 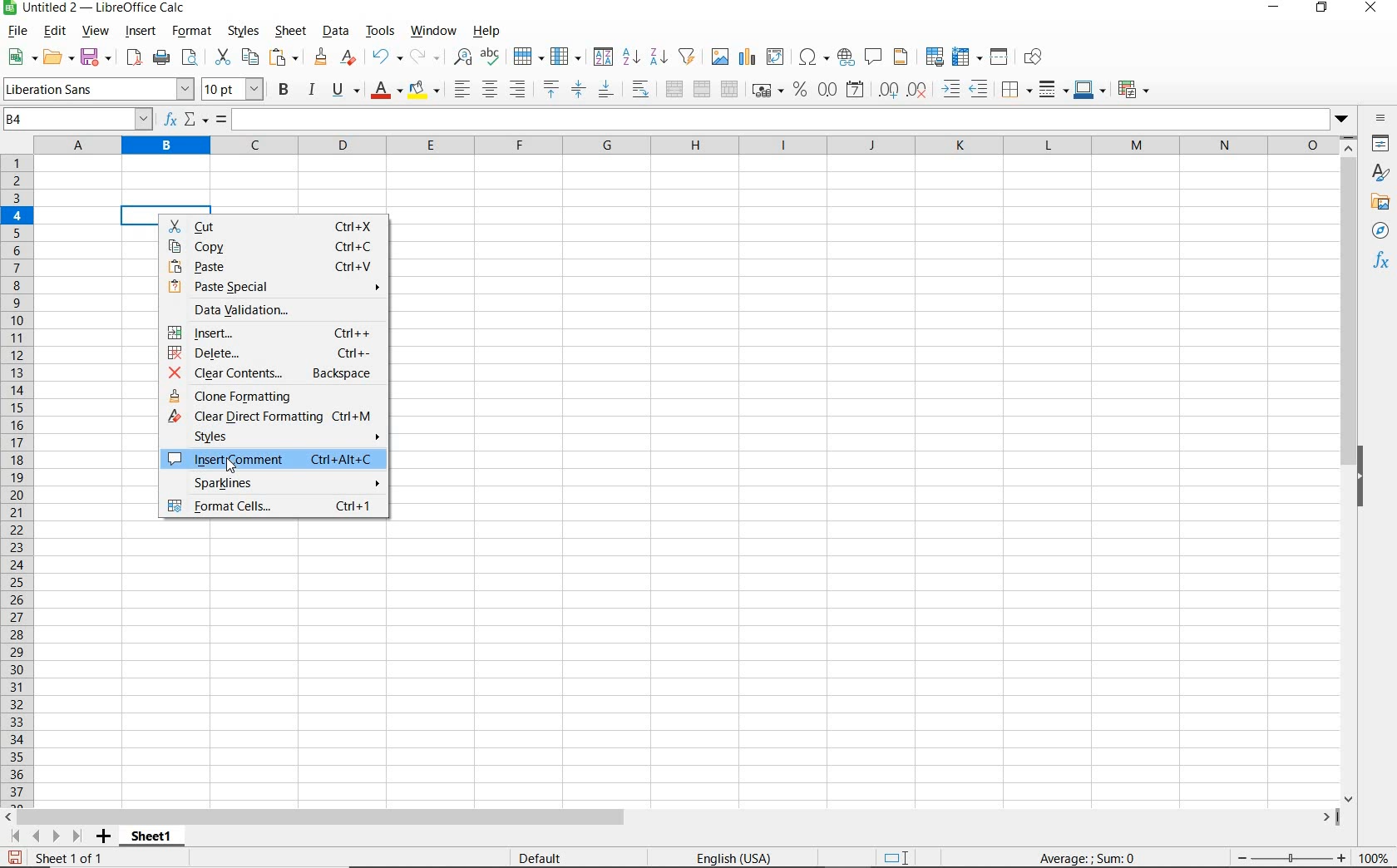 What do you see at coordinates (1383, 259) in the screenshot?
I see `functions` at bounding box center [1383, 259].